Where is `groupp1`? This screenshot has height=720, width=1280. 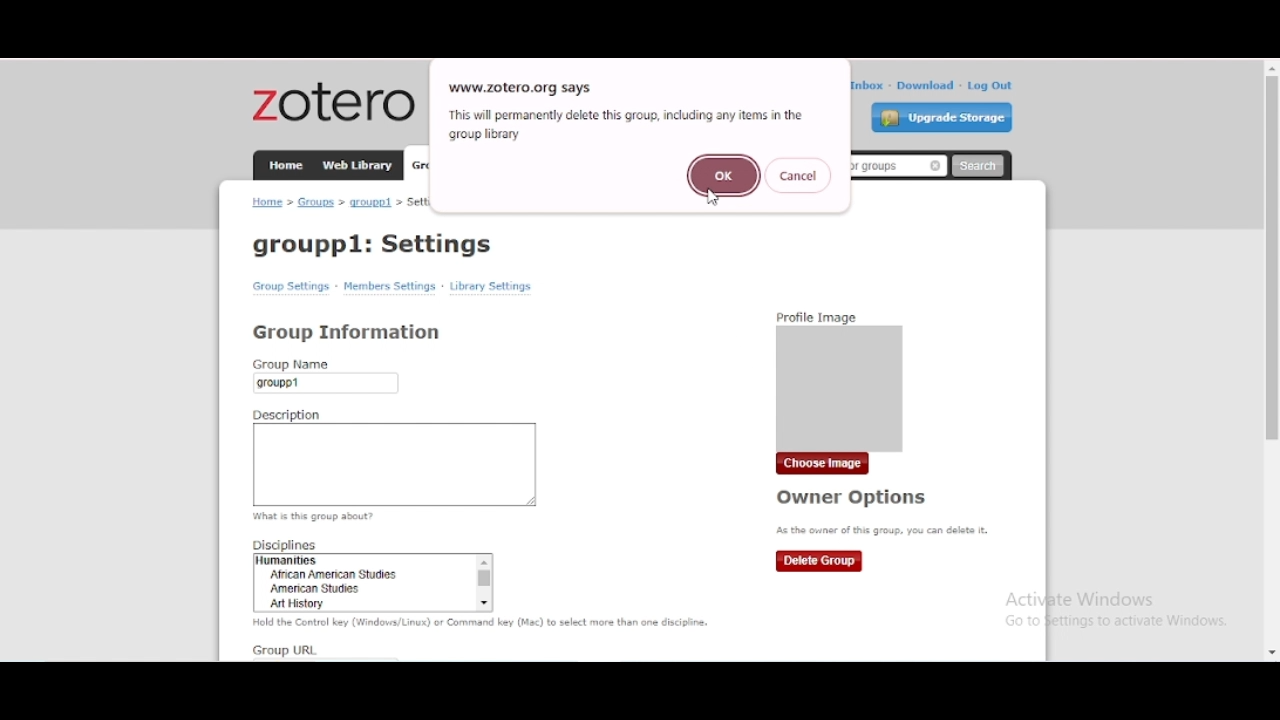
groupp1 is located at coordinates (371, 203).